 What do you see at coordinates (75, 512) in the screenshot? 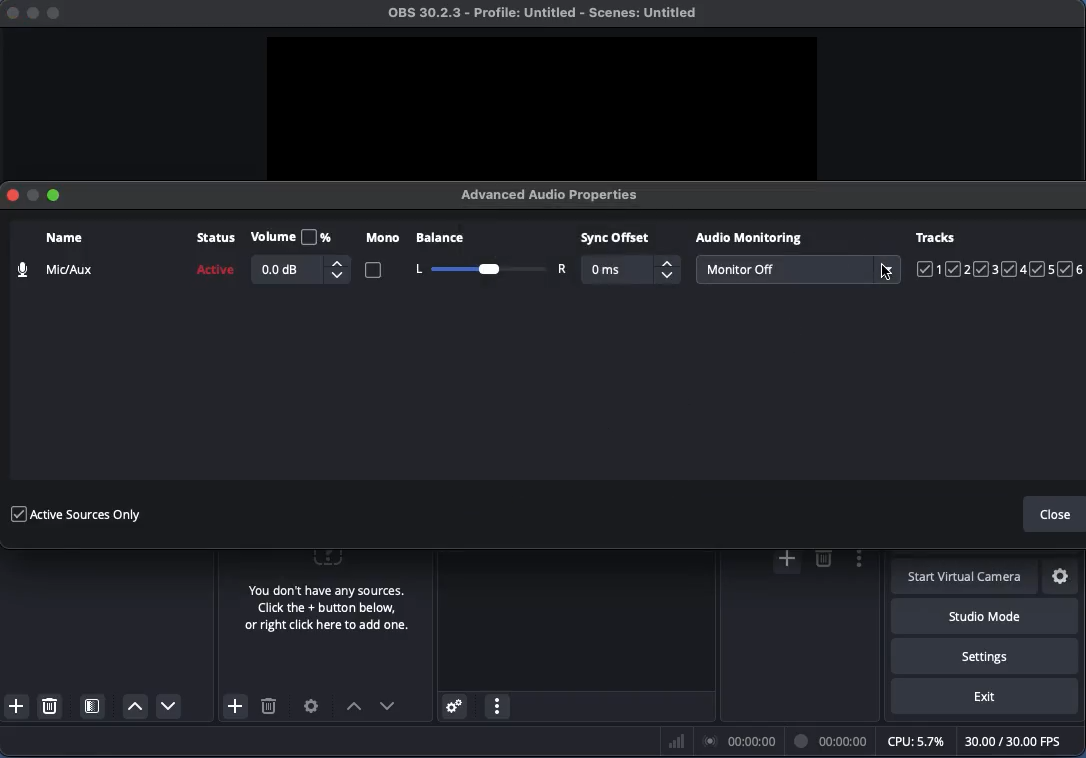
I see `Active source only` at bounding box center [75, 512].